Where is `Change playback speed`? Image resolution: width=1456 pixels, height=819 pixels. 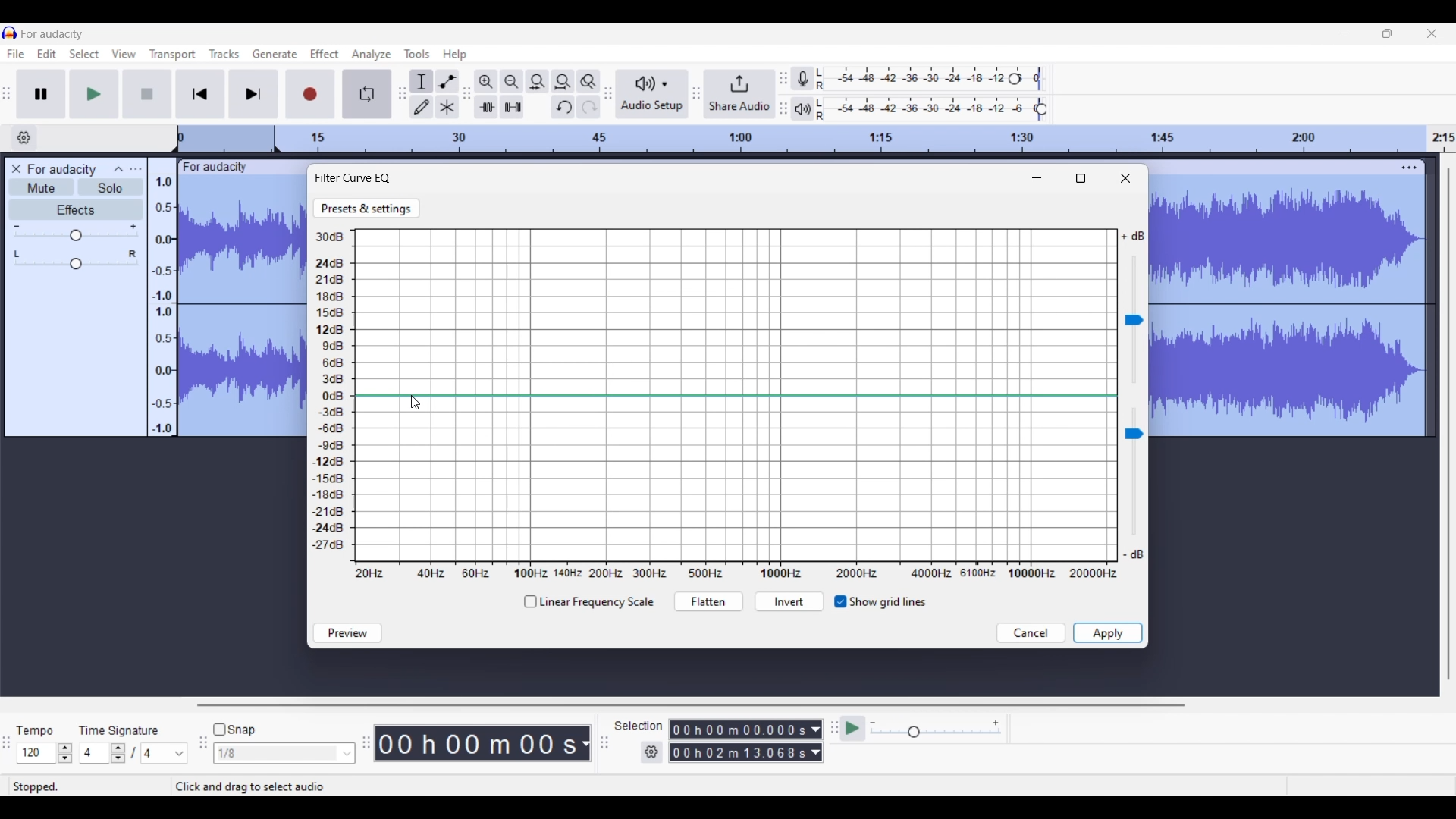
Change playback speed is located at coordinates (935, 733).